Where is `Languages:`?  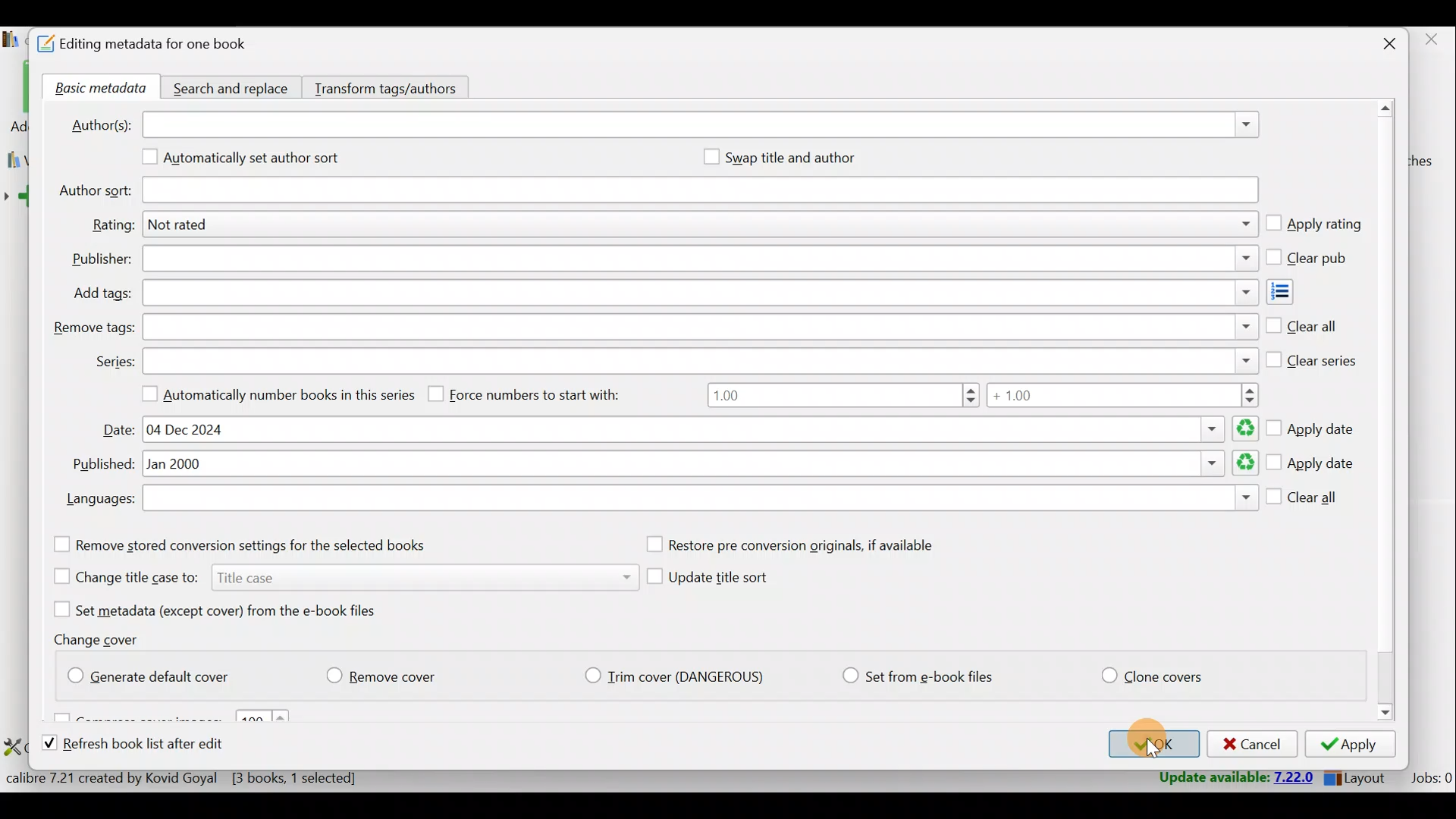
Languages: is located at coordinates (99, 500).